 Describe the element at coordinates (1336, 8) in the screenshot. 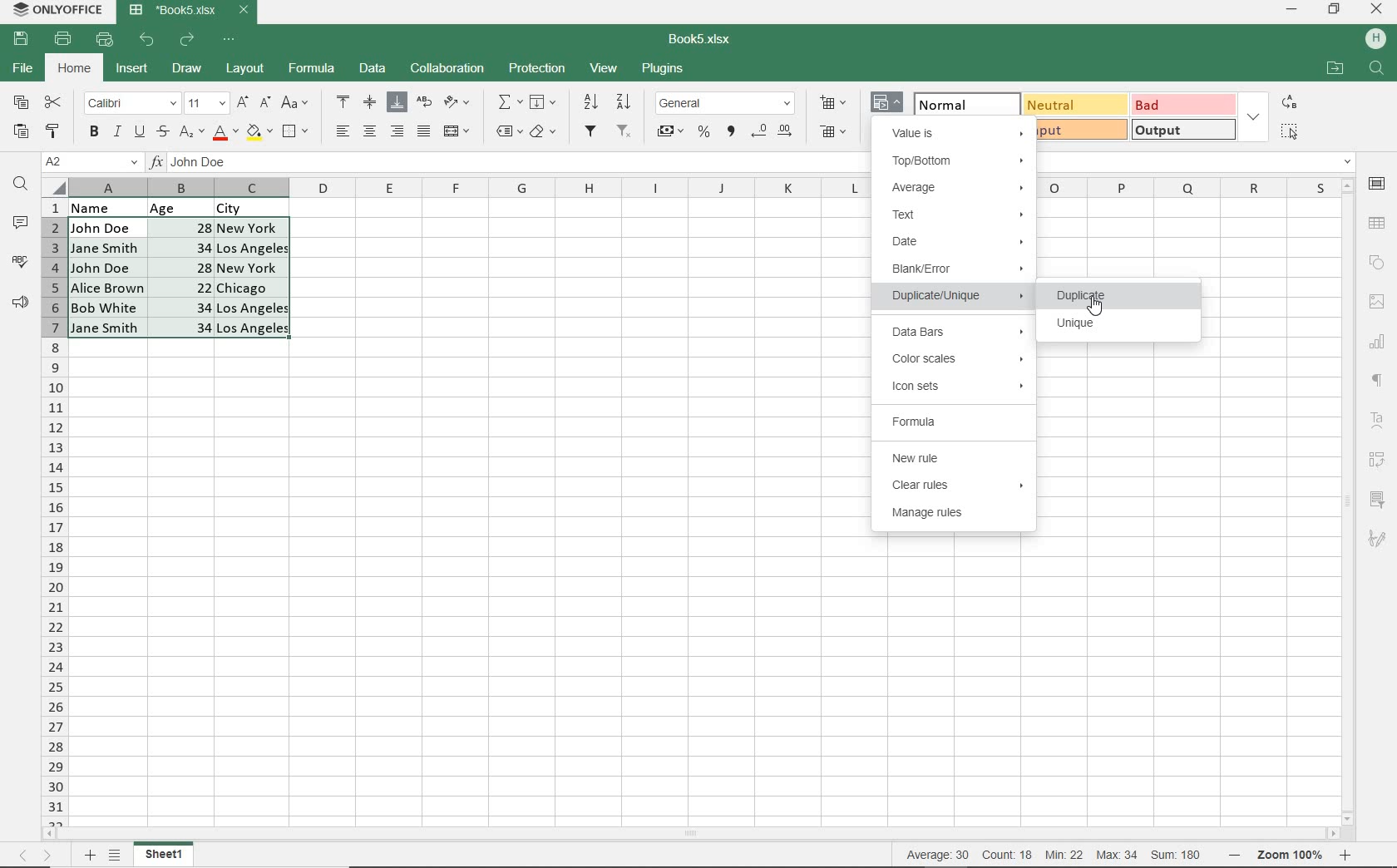

I see `RESTORE DOWN` at that location.